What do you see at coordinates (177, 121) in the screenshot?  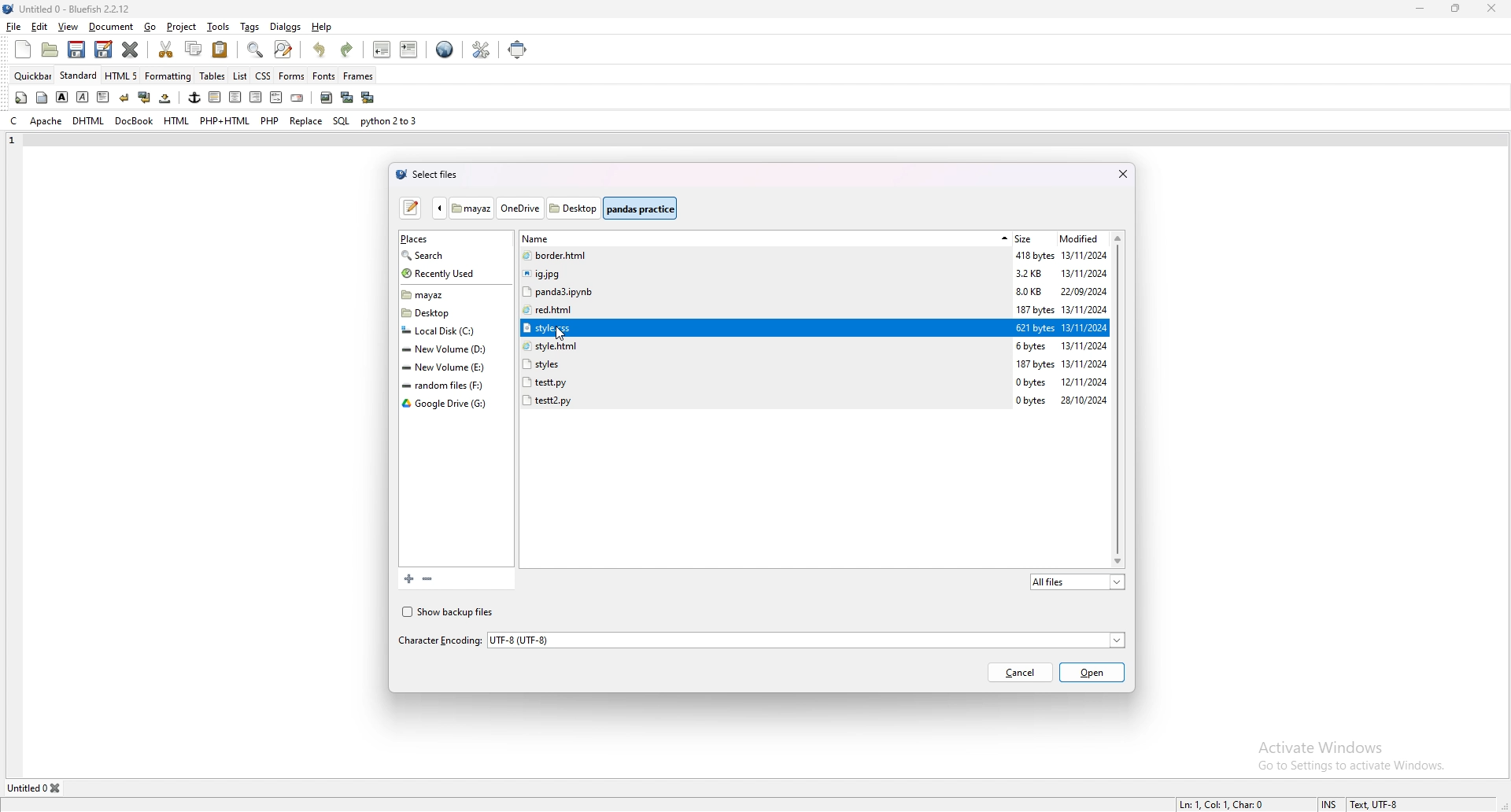 I see `html` at bounding box center [177, 121].